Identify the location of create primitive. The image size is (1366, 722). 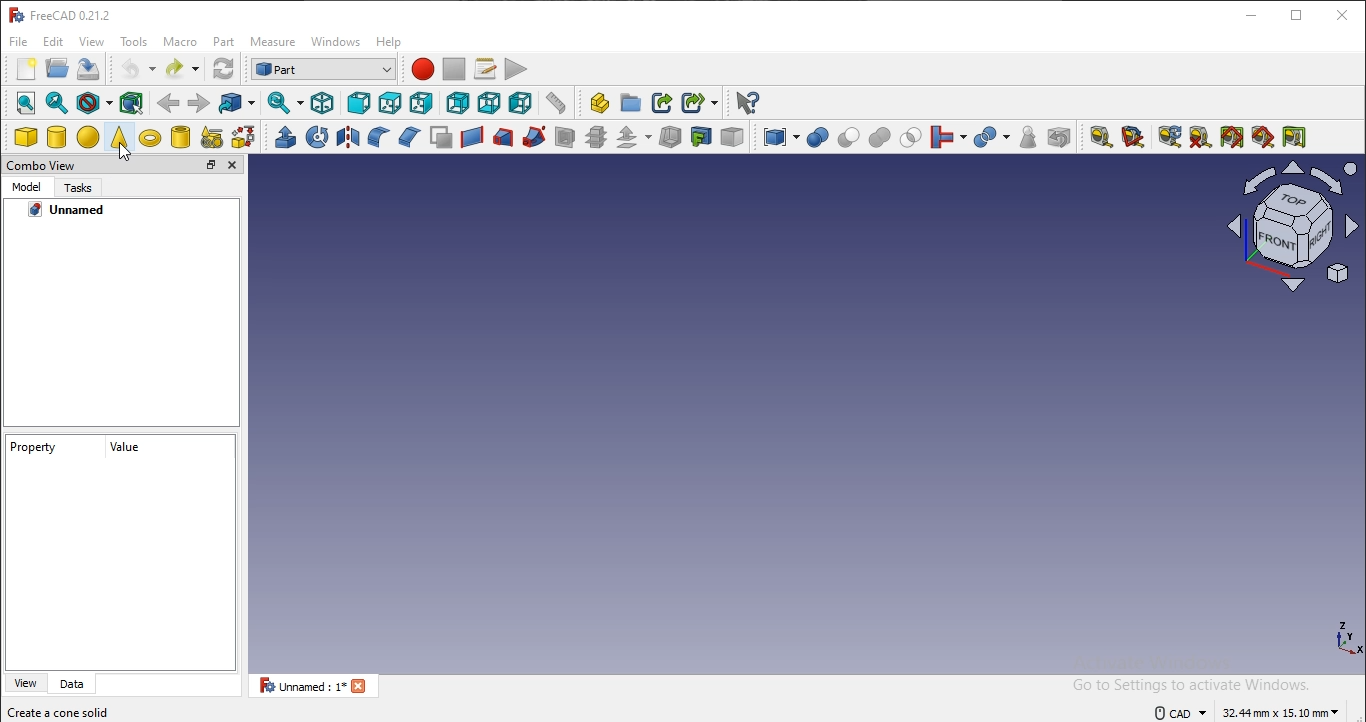
(242, 138).